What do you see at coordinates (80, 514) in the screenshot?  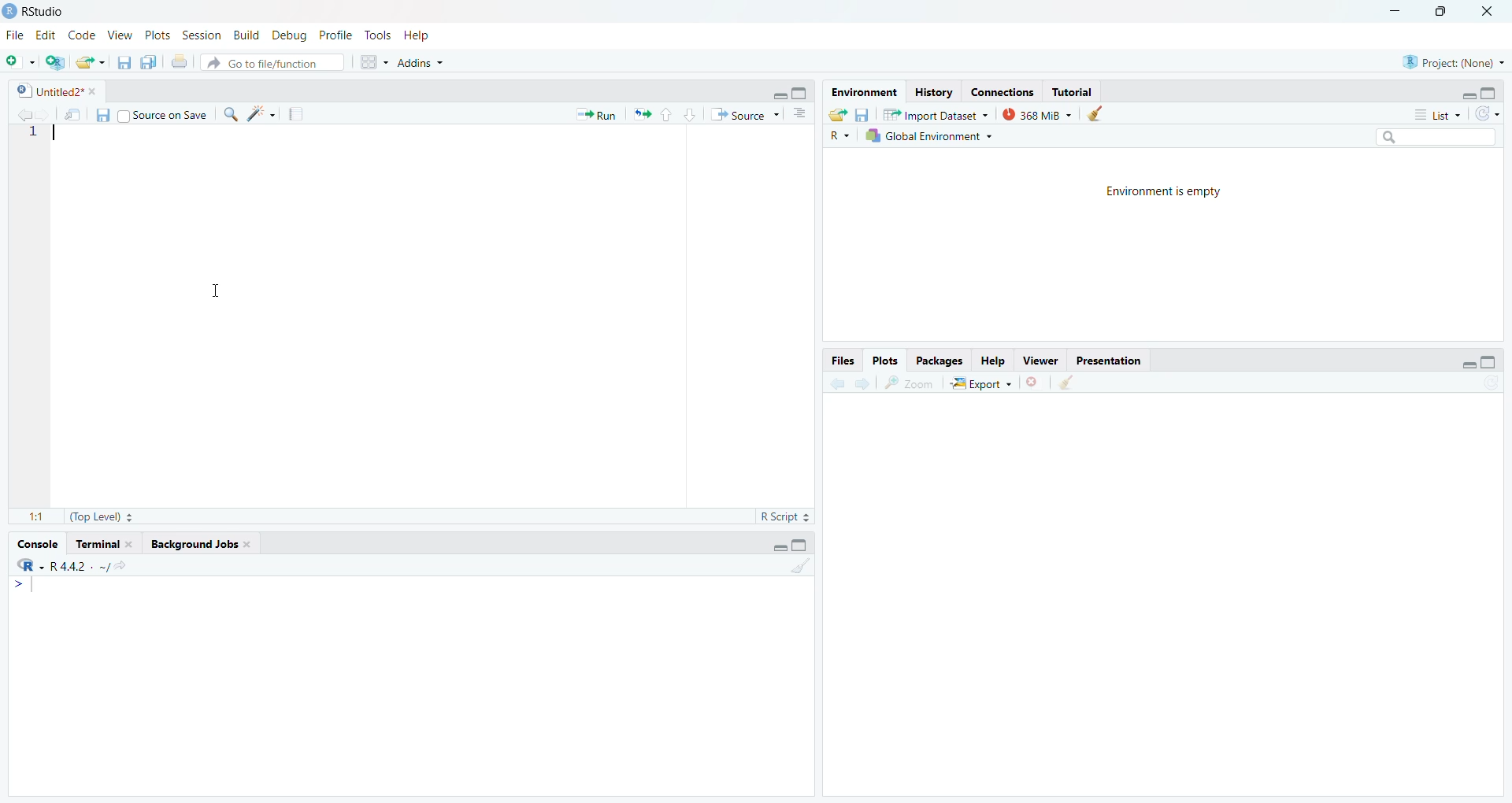 I see `11 (Top Level) =` at bounding box center [80, 514].